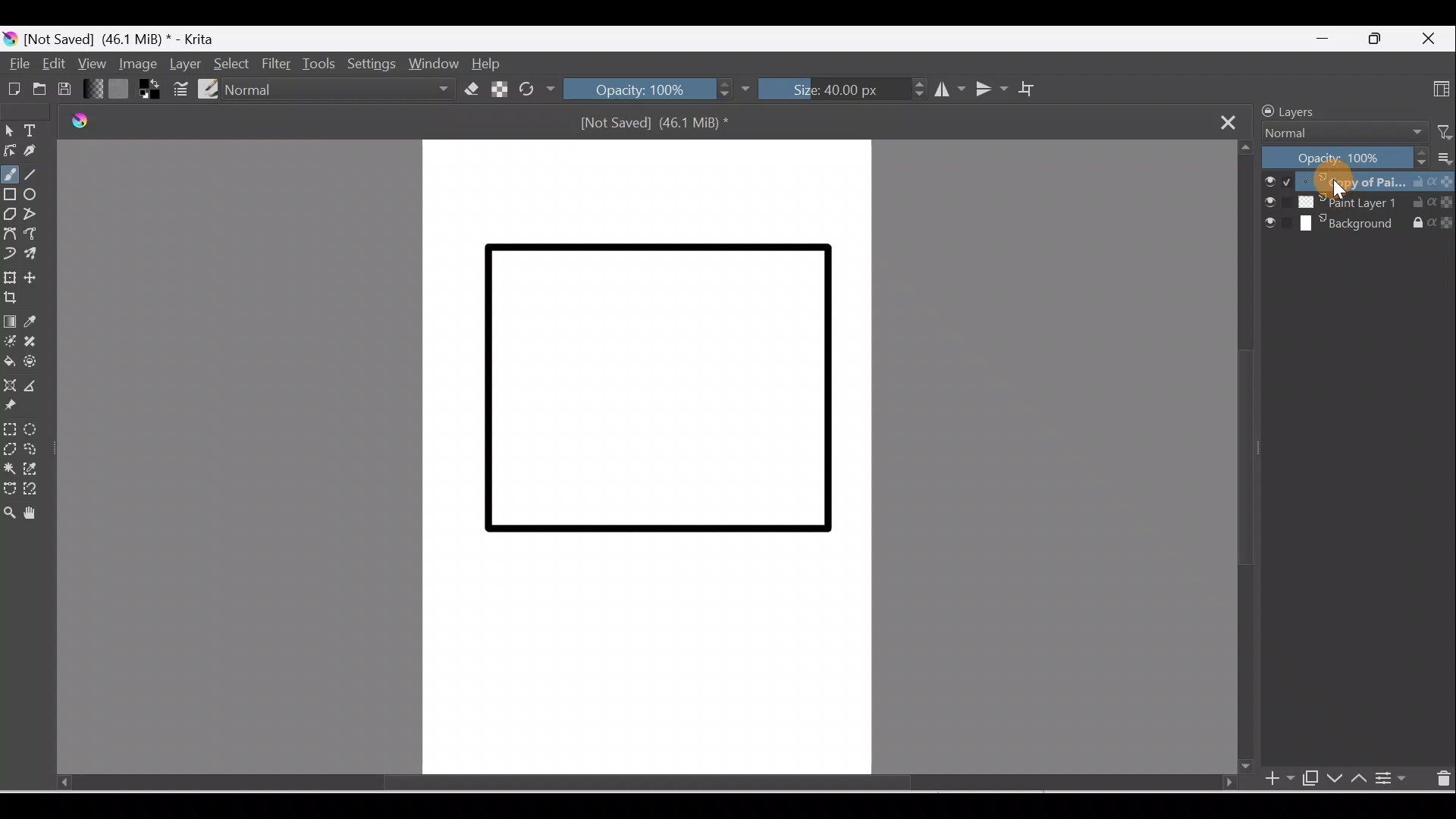  What do you see at coordinates (1394, 779) in the screenshot?
I see `View/Change layer properties` at bounding box center [1394, 779].